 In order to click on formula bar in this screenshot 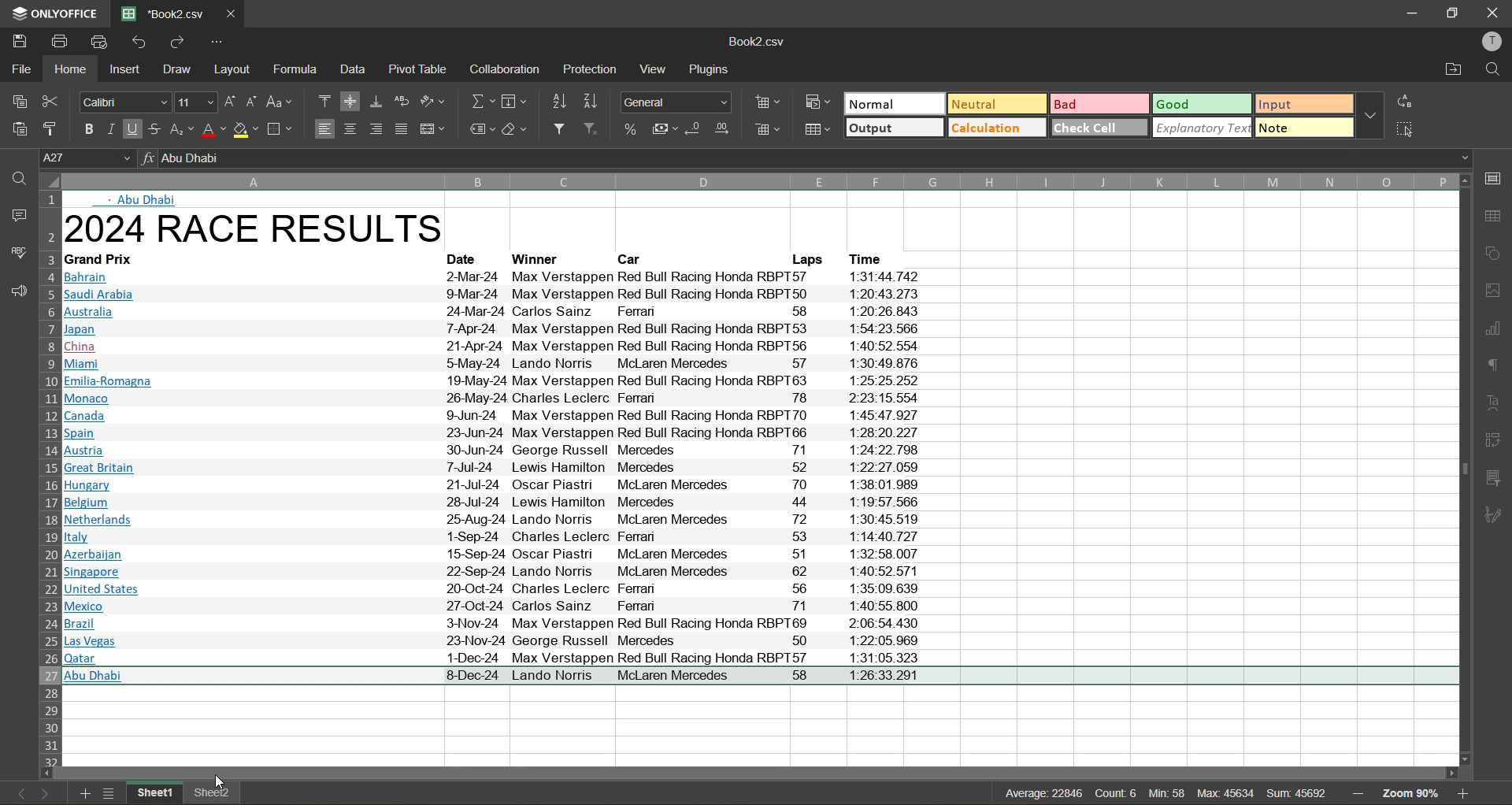, I will do `click(807, 158)`.